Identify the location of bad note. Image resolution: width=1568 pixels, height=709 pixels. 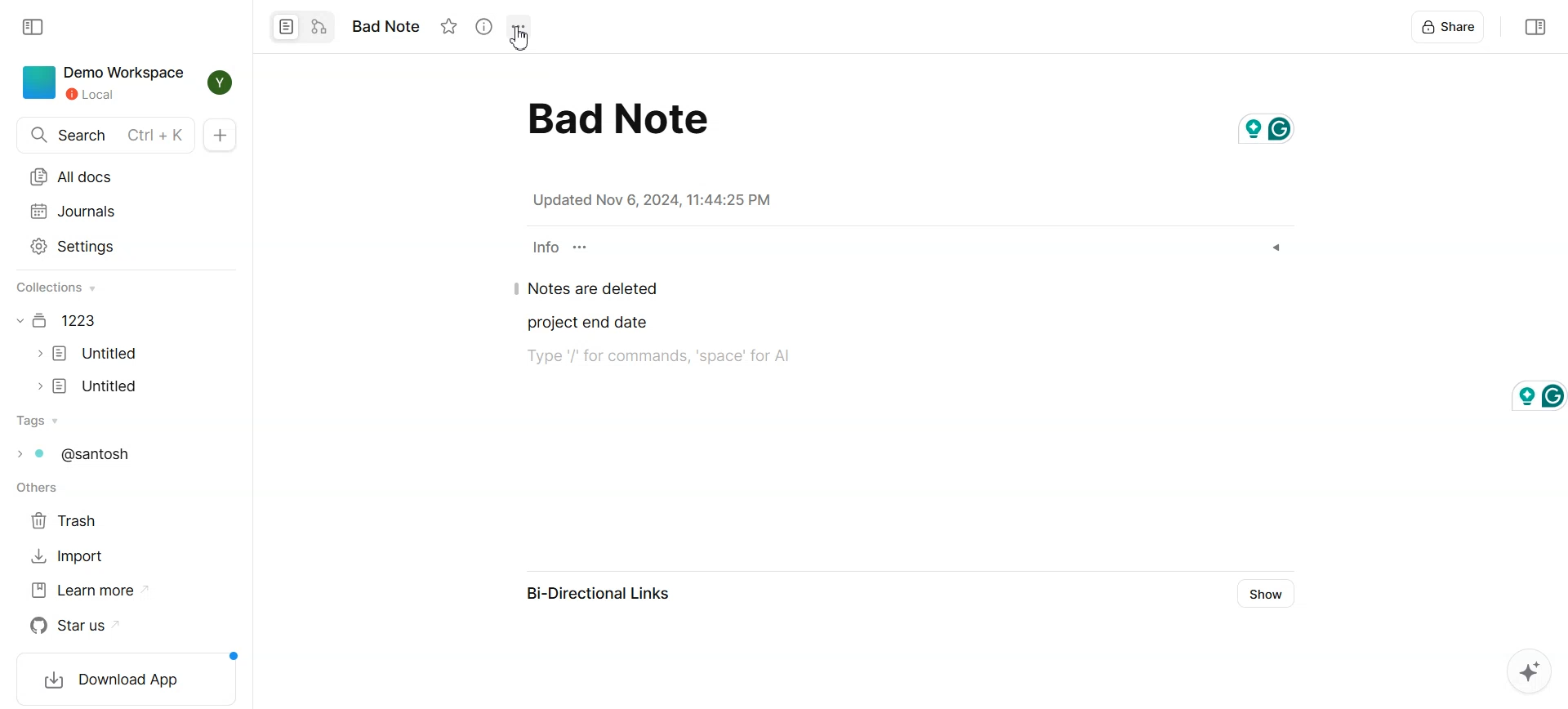
(616, 117).